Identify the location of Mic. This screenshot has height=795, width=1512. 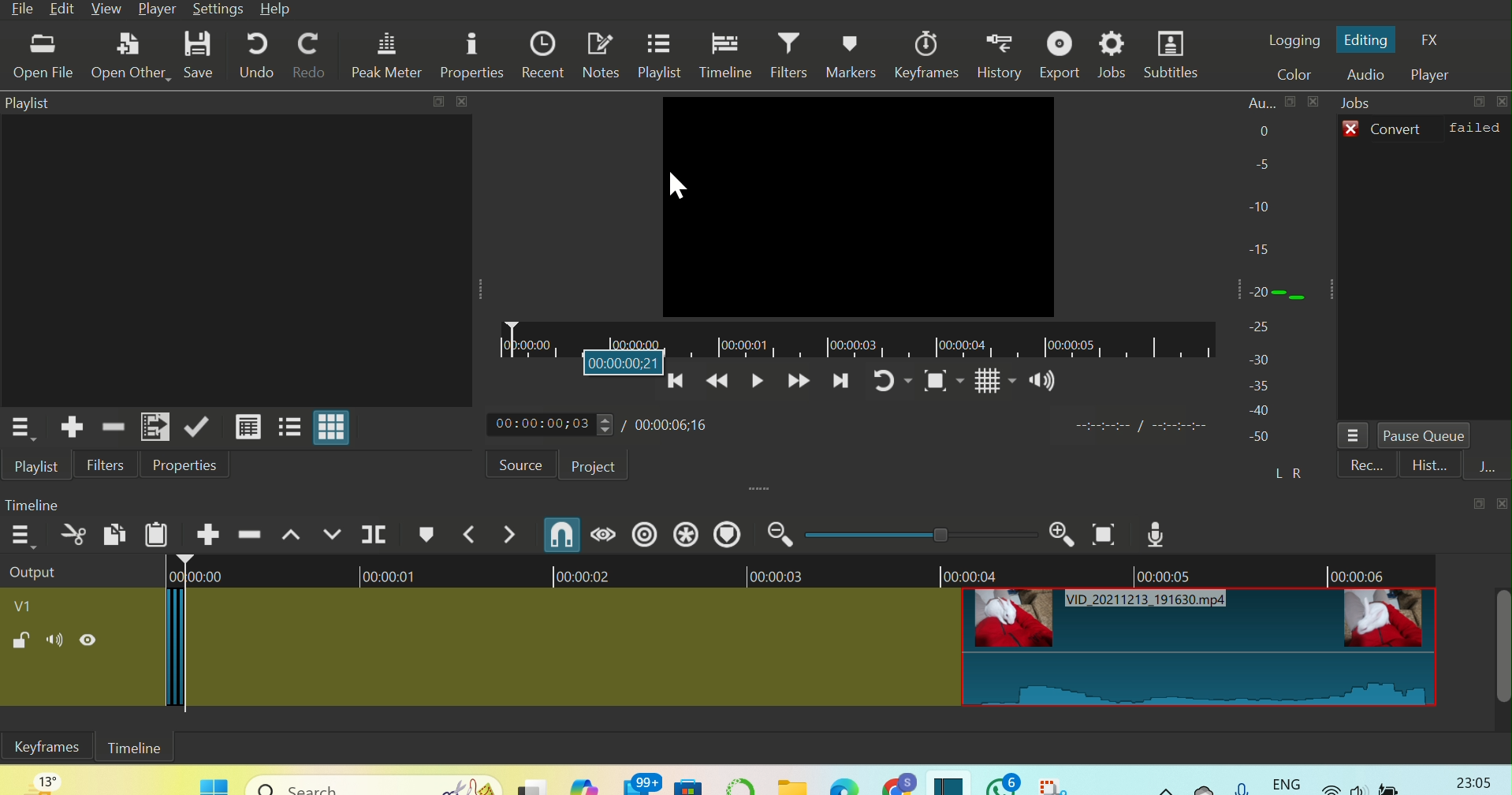
(1160, 532).